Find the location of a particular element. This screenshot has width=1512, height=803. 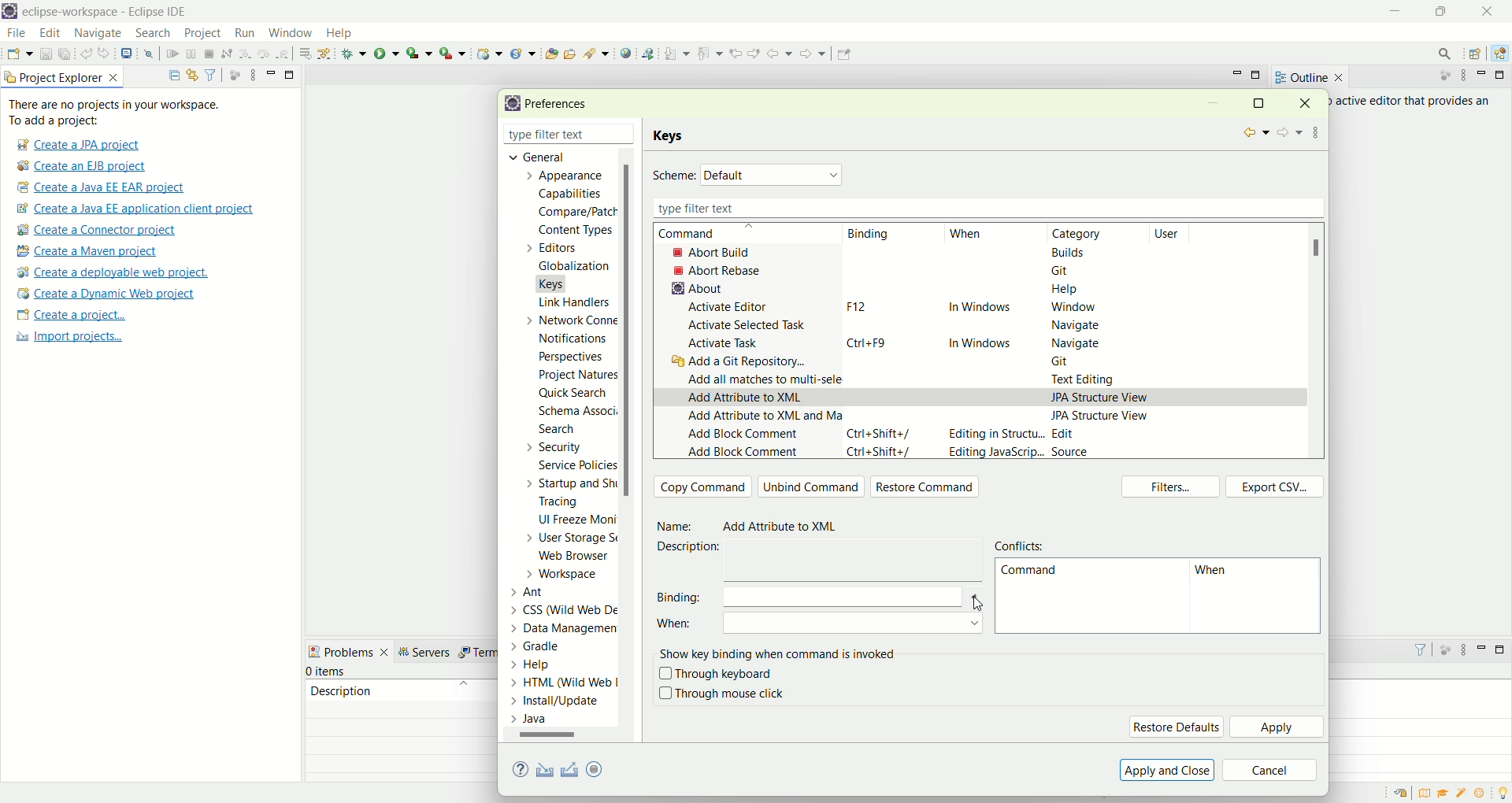

through keyboard is located at coordinates (716, 675).